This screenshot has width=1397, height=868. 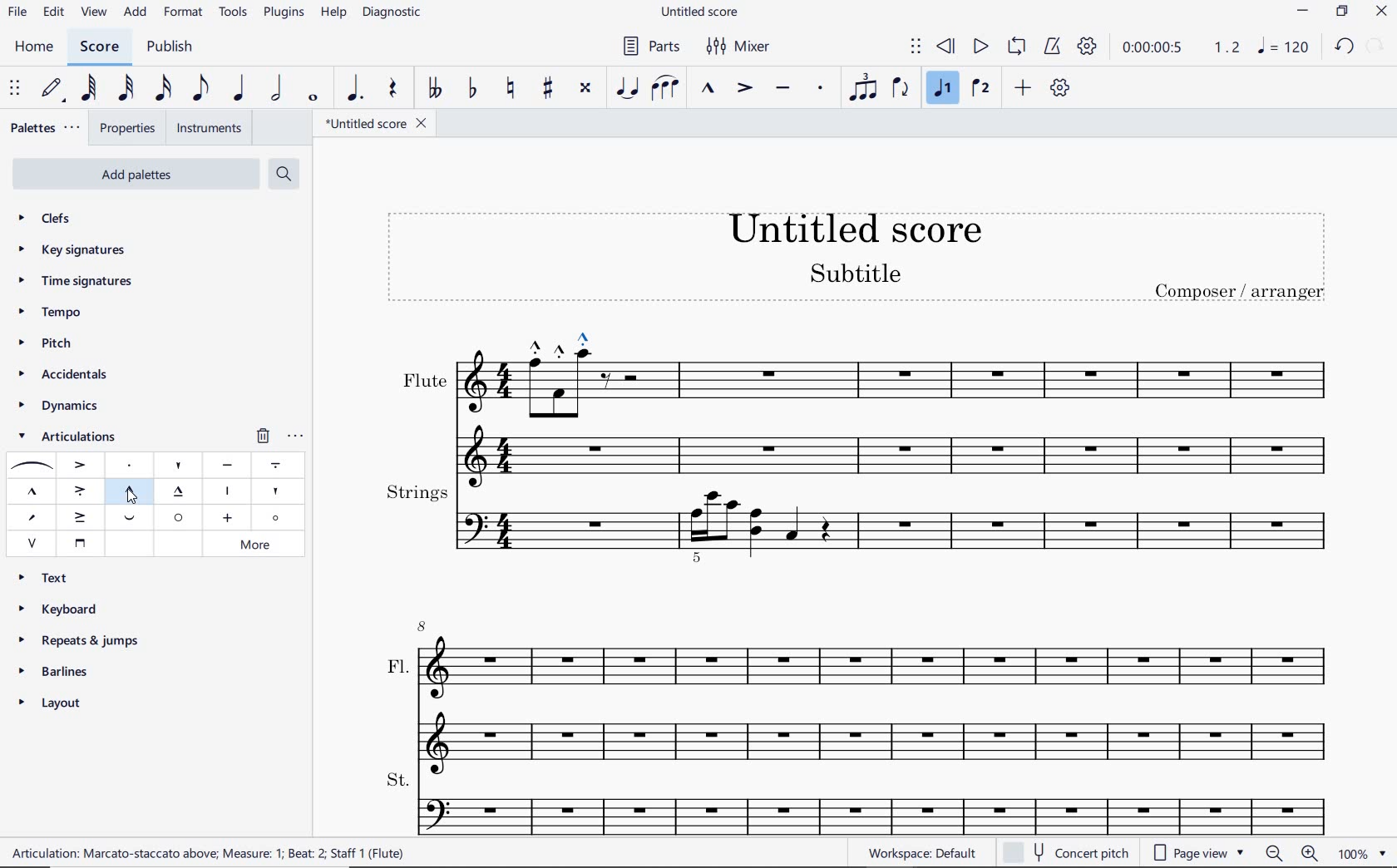 What do you see at coordinates (1342, 11) in the screenshot?
I see `restore down` at bounding box center [1342, 11].